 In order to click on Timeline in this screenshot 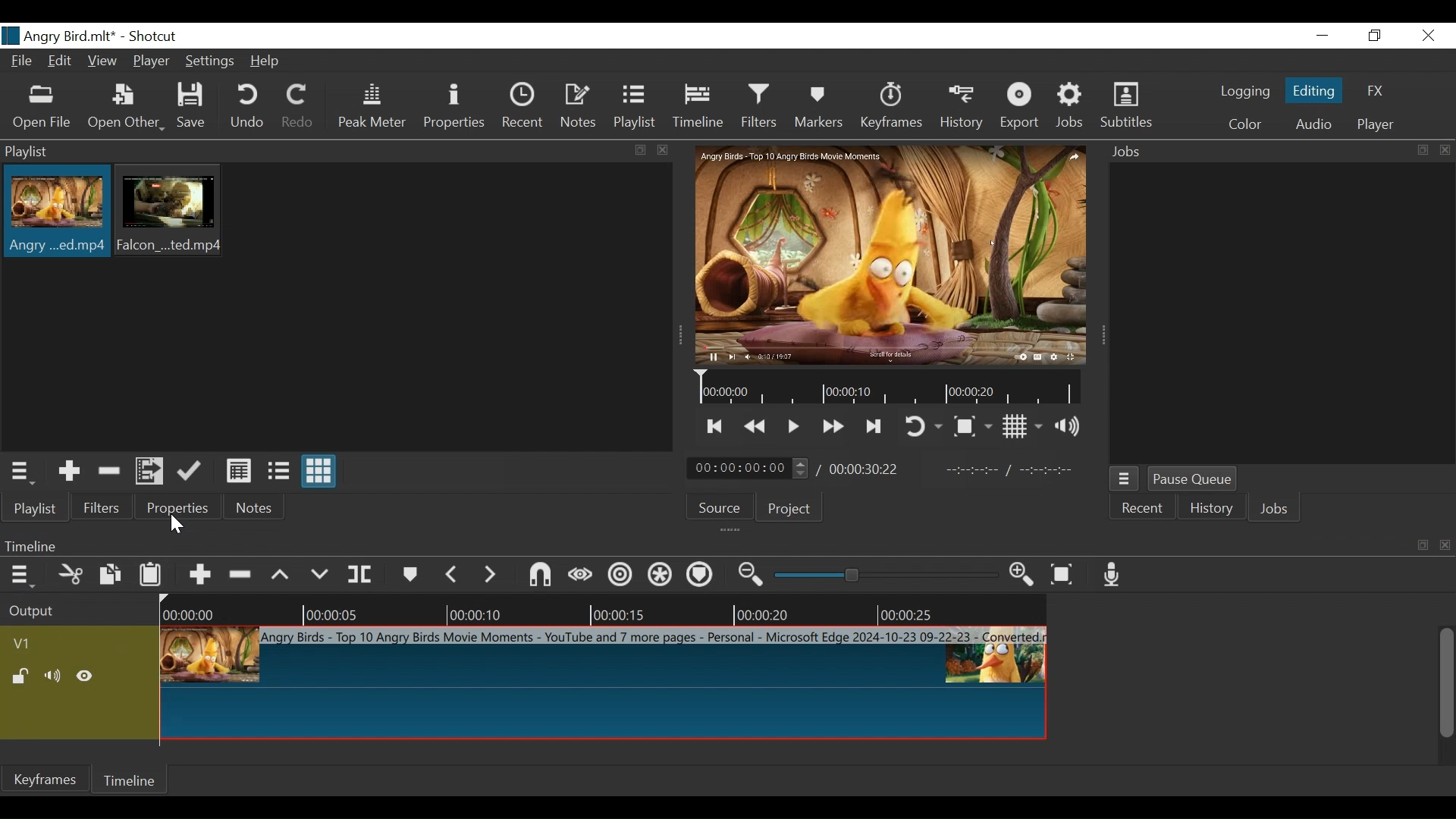, I will do `click(893, 387)`.